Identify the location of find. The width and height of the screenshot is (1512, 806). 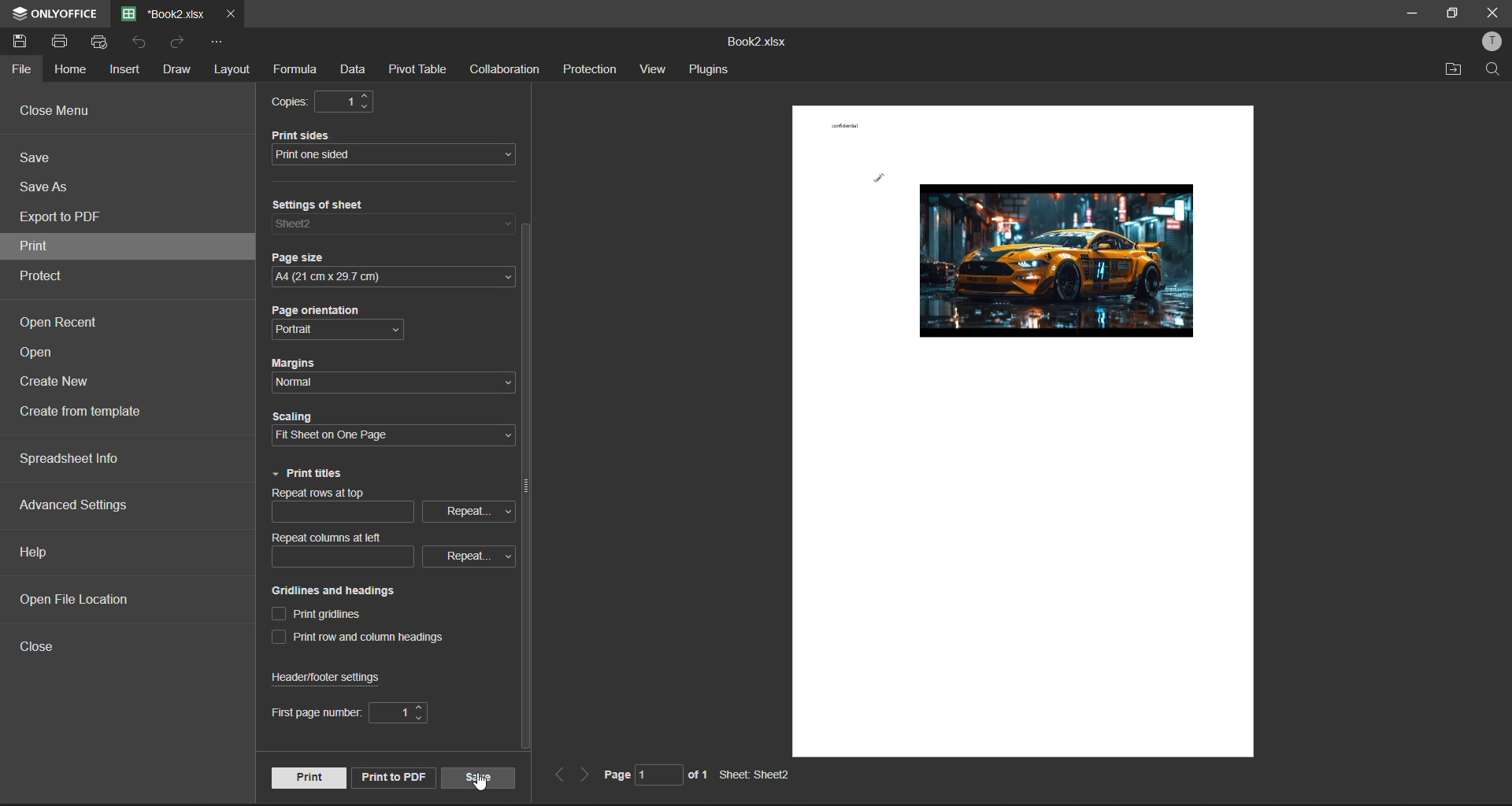
(1496, 70).